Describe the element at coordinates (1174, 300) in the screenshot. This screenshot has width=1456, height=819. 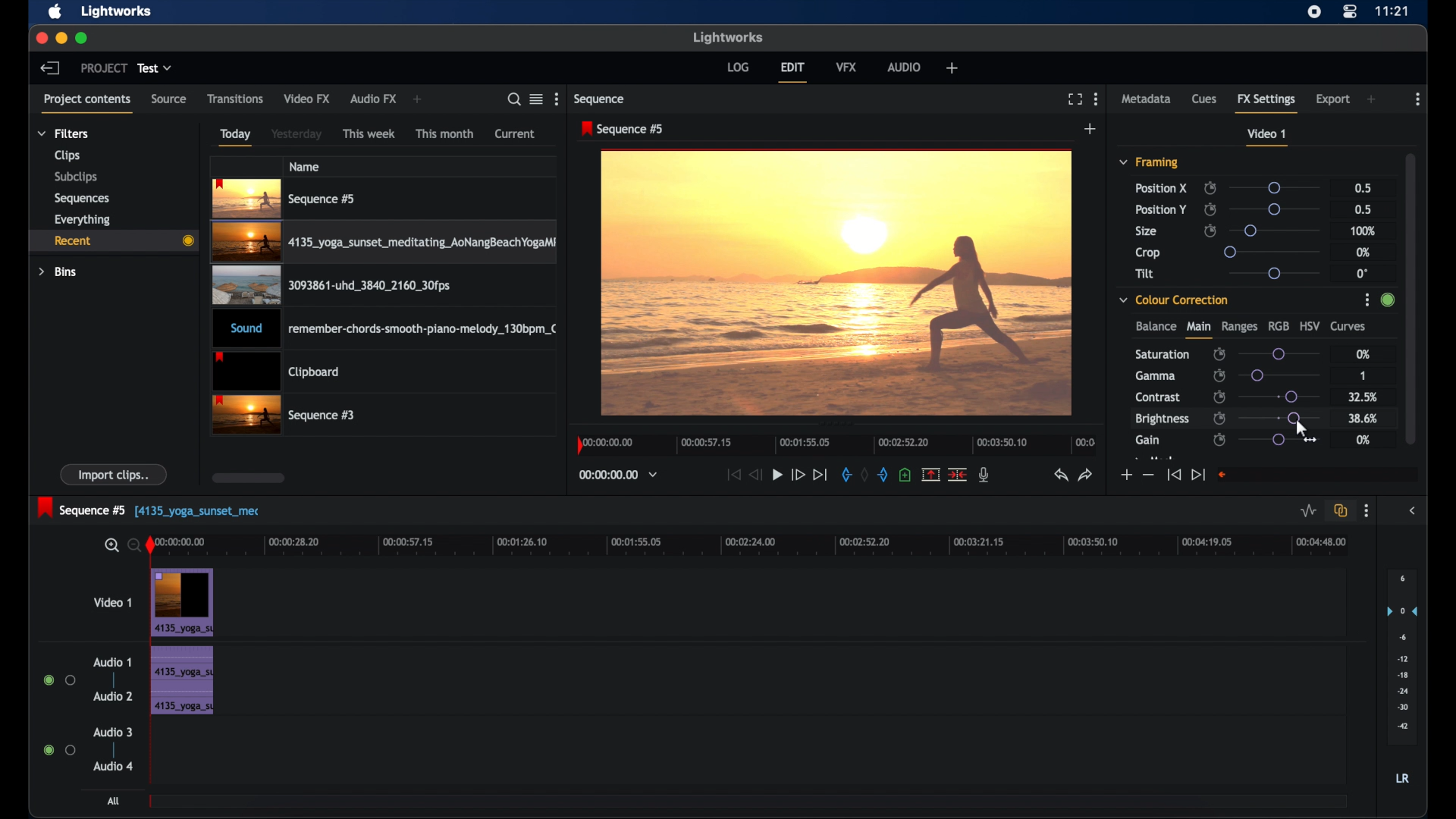
I see `color correction` at that location.